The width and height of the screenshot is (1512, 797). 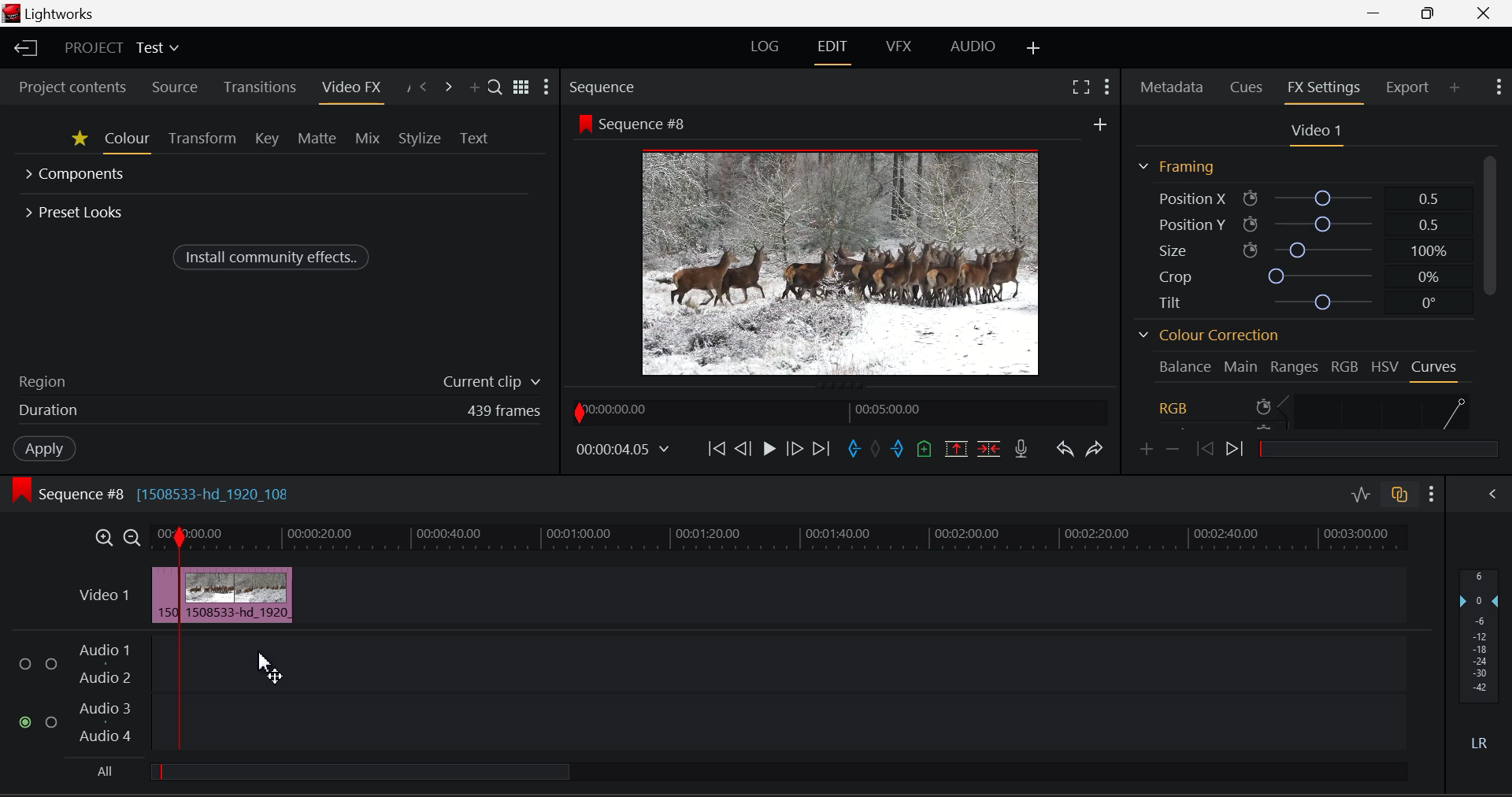 I want to click on Crop, so click(x=1296, y=275).